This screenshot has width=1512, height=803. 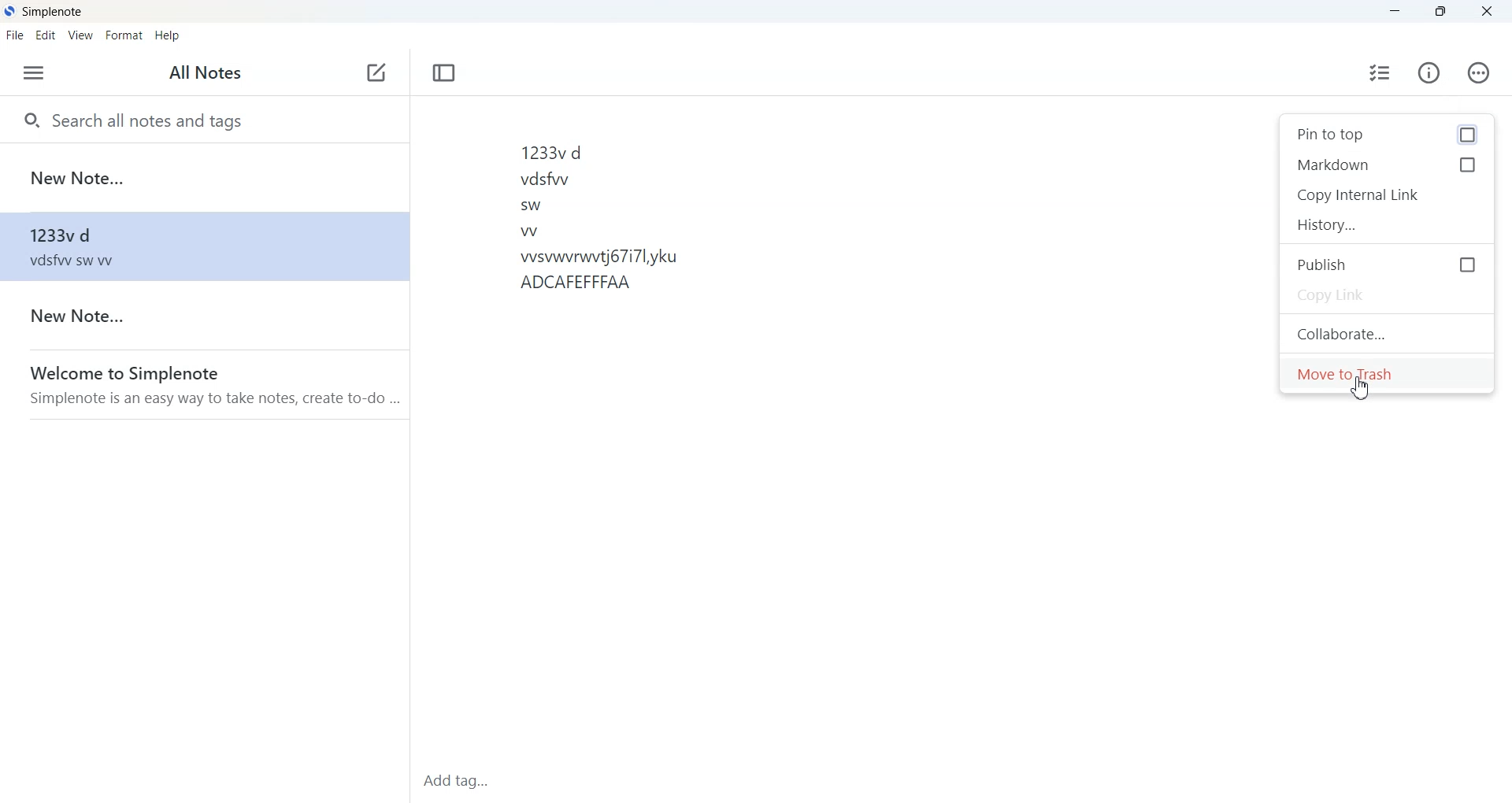 What do you see at coordinates (125, 35) in the screenshot?
I see `Format` at bounding box center [125, 35].